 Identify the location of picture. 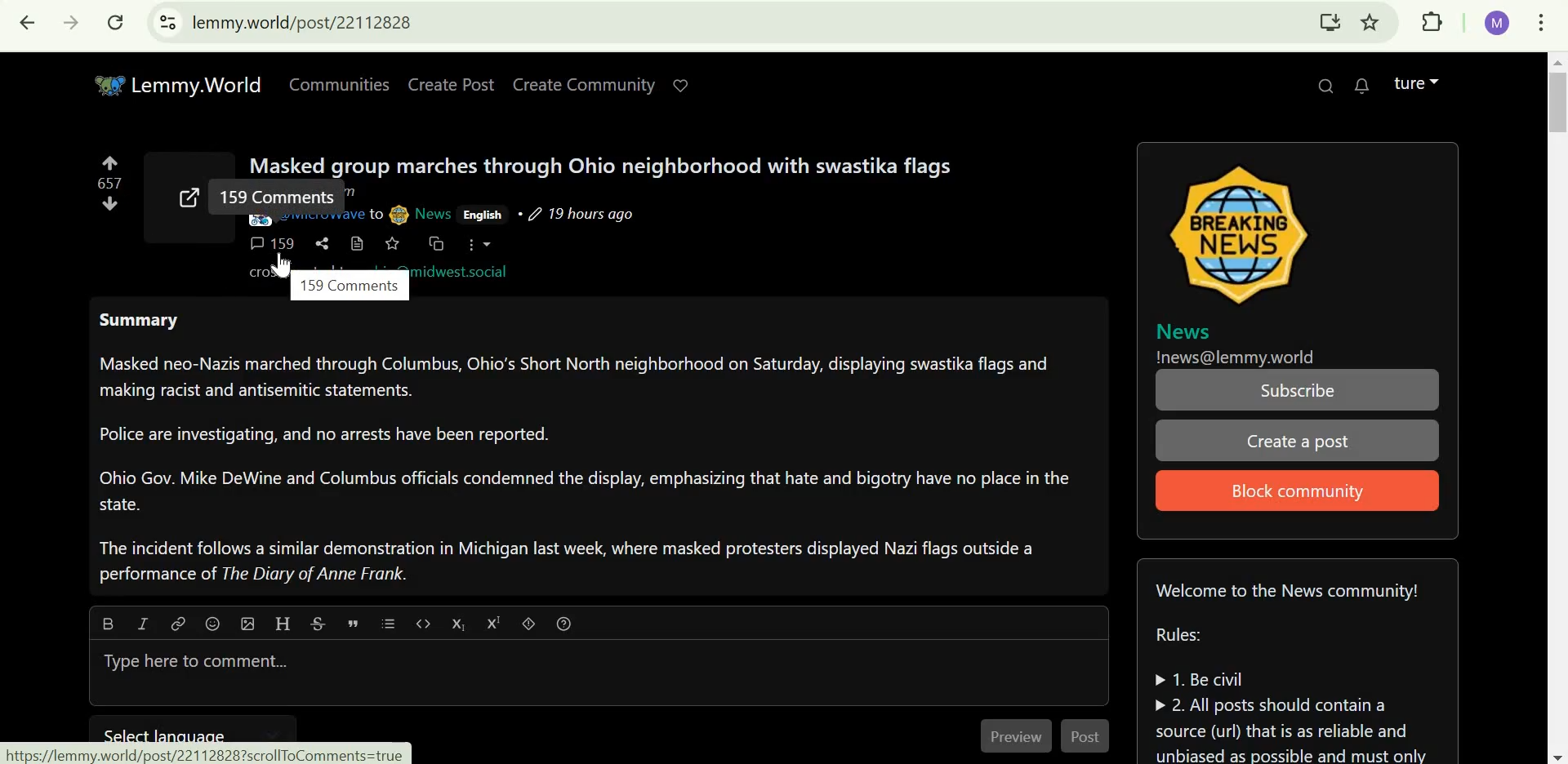
(399, 214).